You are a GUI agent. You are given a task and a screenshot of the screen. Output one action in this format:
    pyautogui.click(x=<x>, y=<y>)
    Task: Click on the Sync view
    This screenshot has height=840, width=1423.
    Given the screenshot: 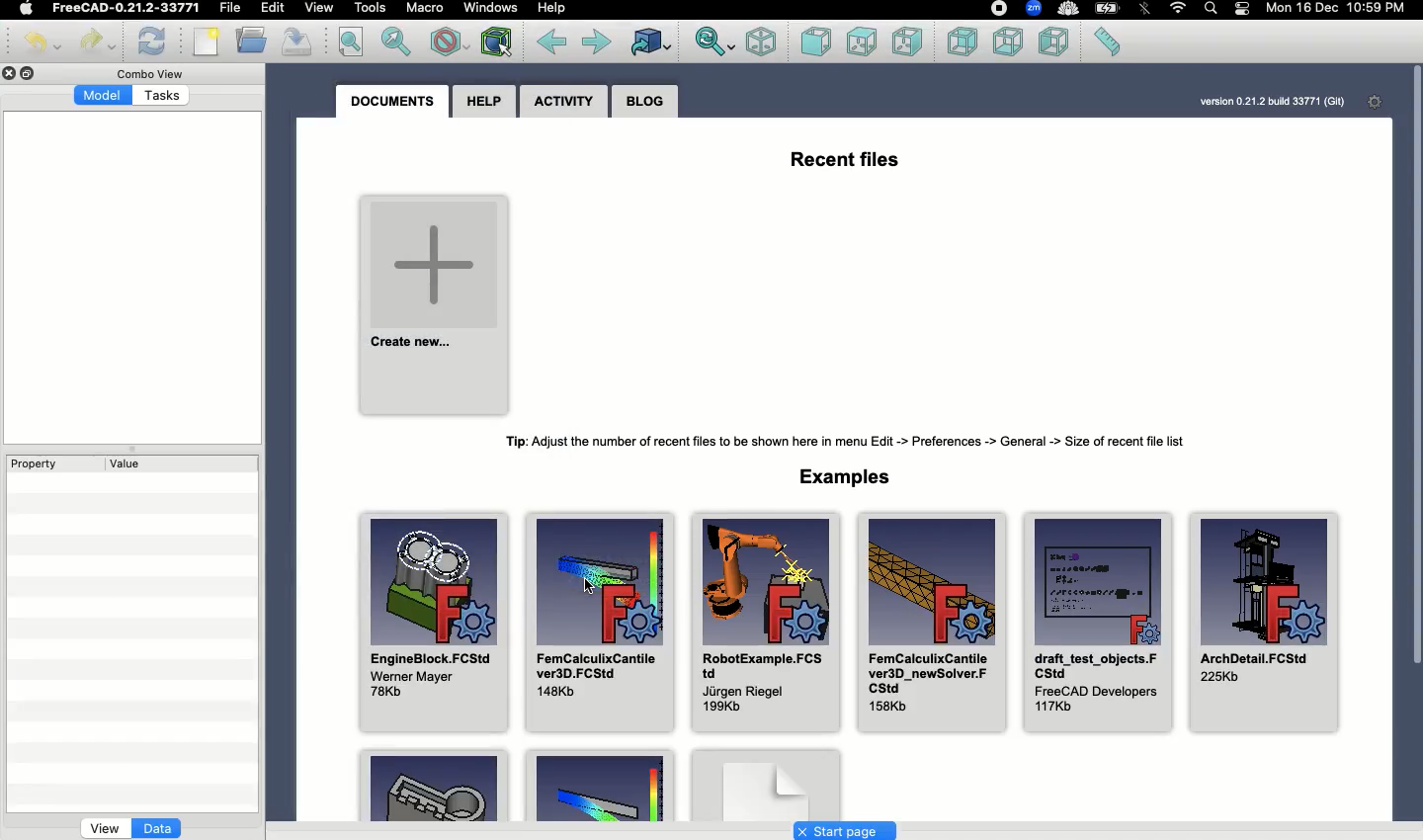 What is the action you would take?
    pyautogui.click(x=719, y=46)
    